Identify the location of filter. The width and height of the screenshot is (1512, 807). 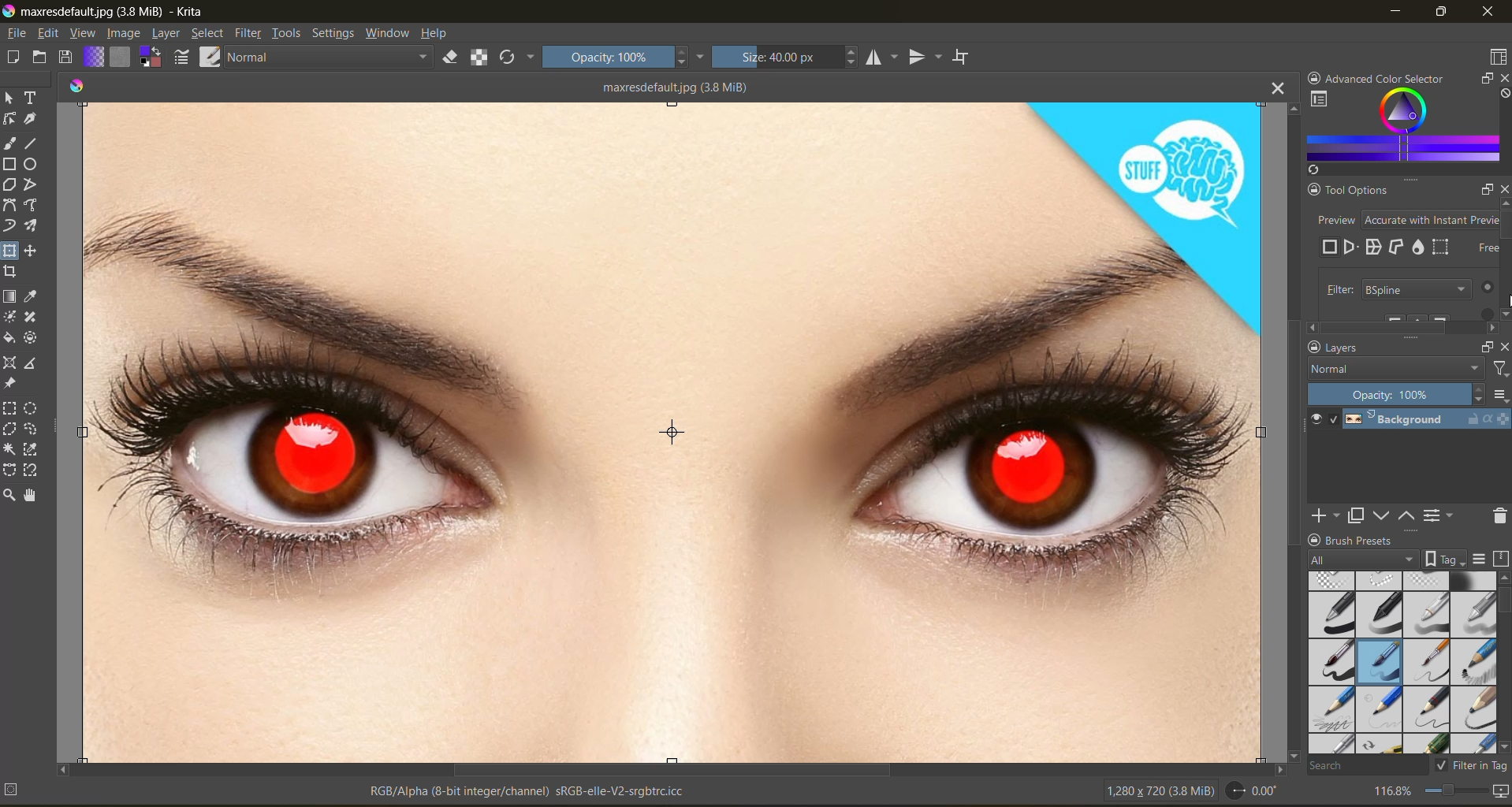
(1498, 367).